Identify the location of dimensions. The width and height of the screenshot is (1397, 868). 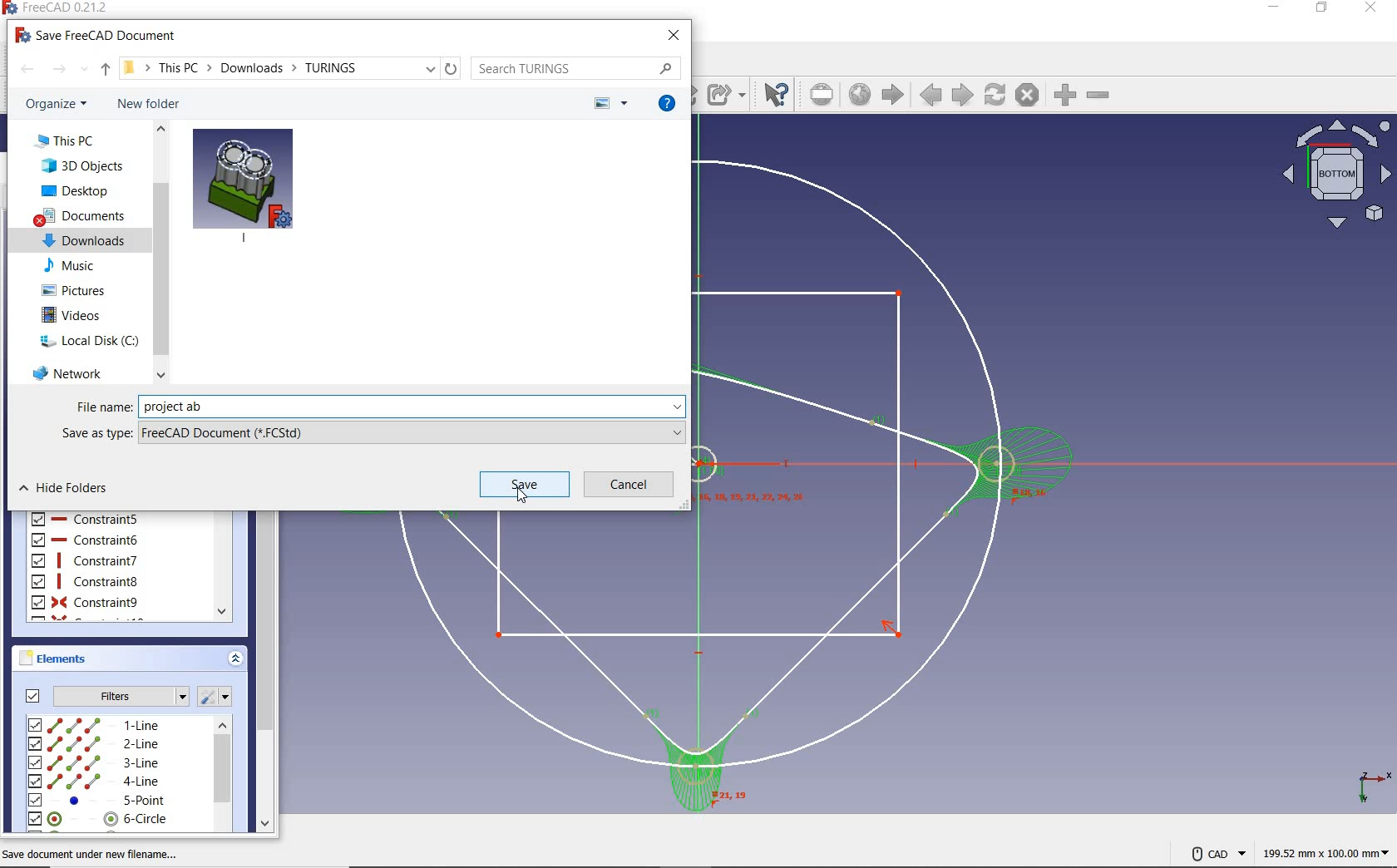
(1324, 855).